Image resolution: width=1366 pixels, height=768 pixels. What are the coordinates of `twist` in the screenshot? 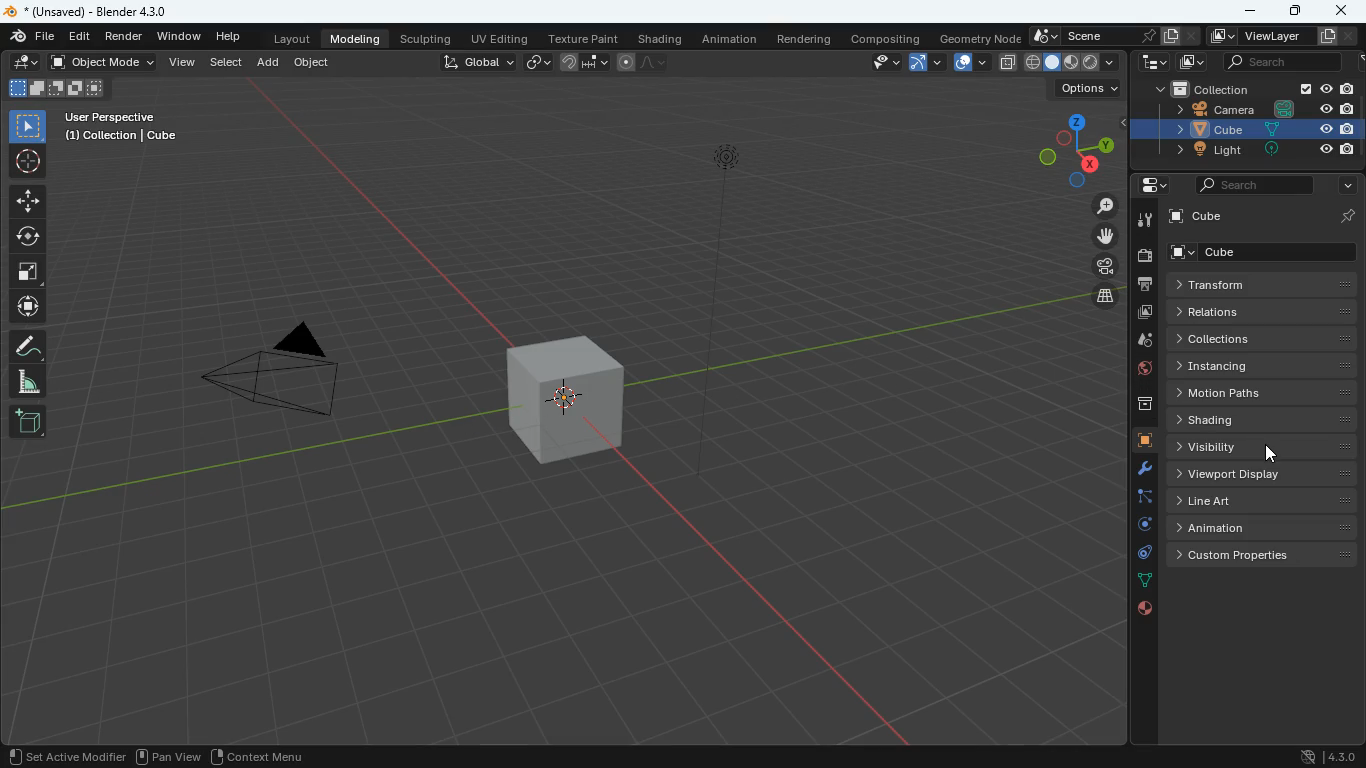 It's located at (28, 238).